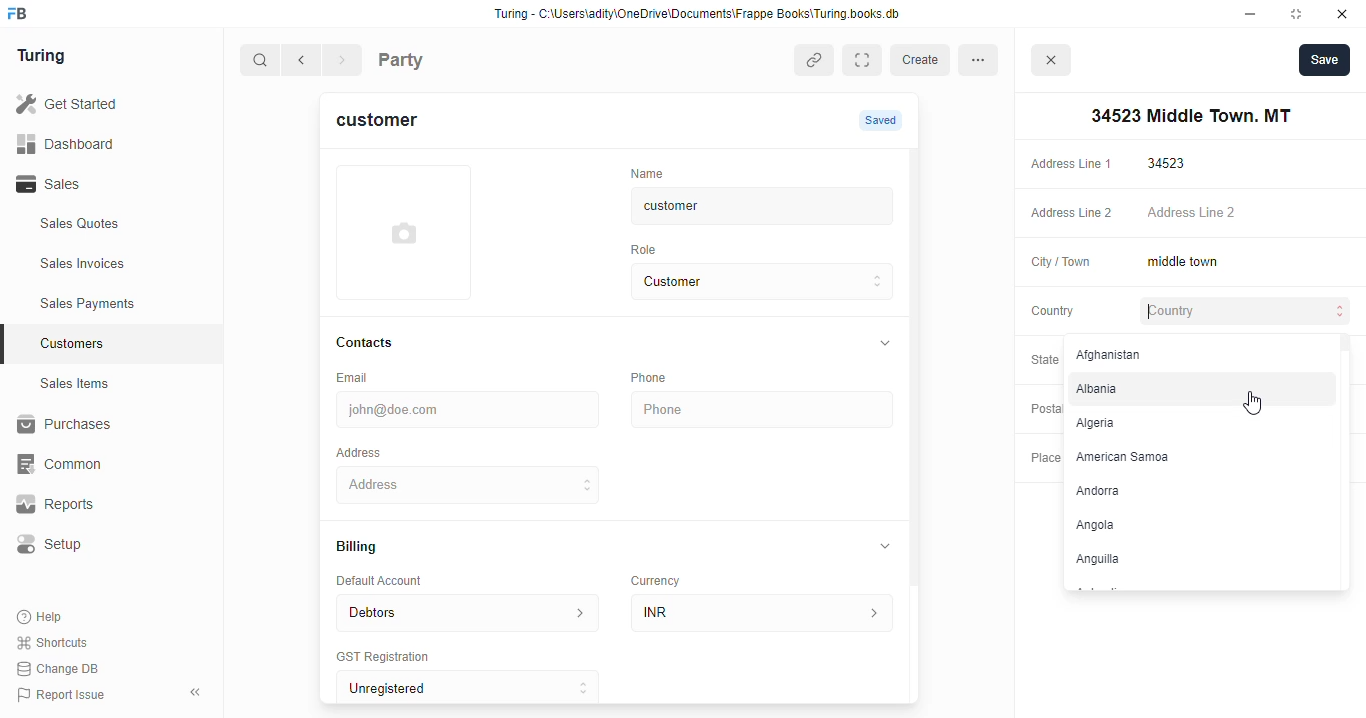  Describe the element at coordinates (100, 464) in the screenshot. I see `‘Common` at that location.